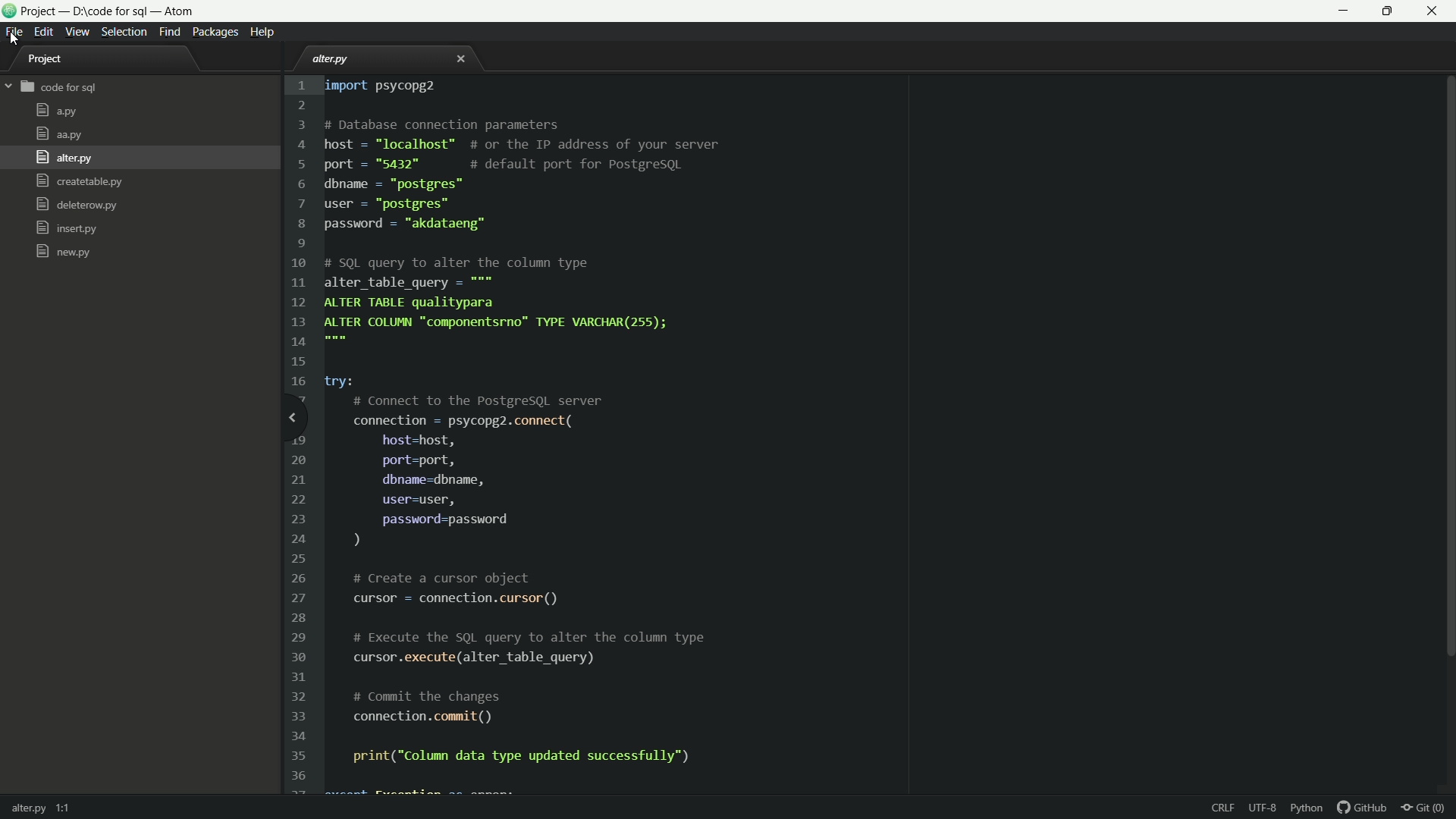 The image size is (1456, 819). What do you see at coordinates (1308, 808) in the screenshot?
I see `python` at bounding box center [1308, 808].